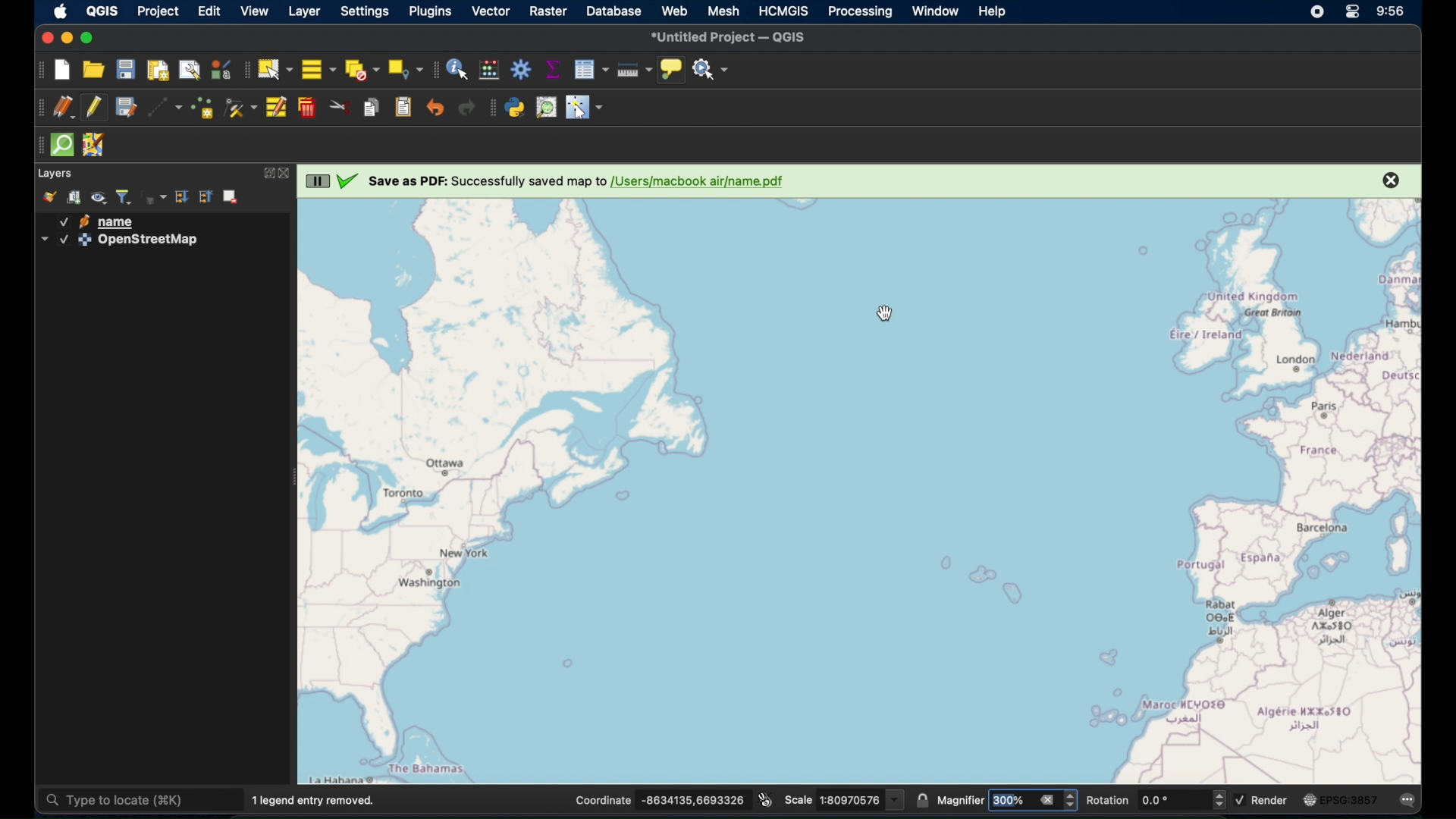  What do you see at coordinates (220, 71) in the screenshot?
I see `style manager` at bounding box center [220, 71].